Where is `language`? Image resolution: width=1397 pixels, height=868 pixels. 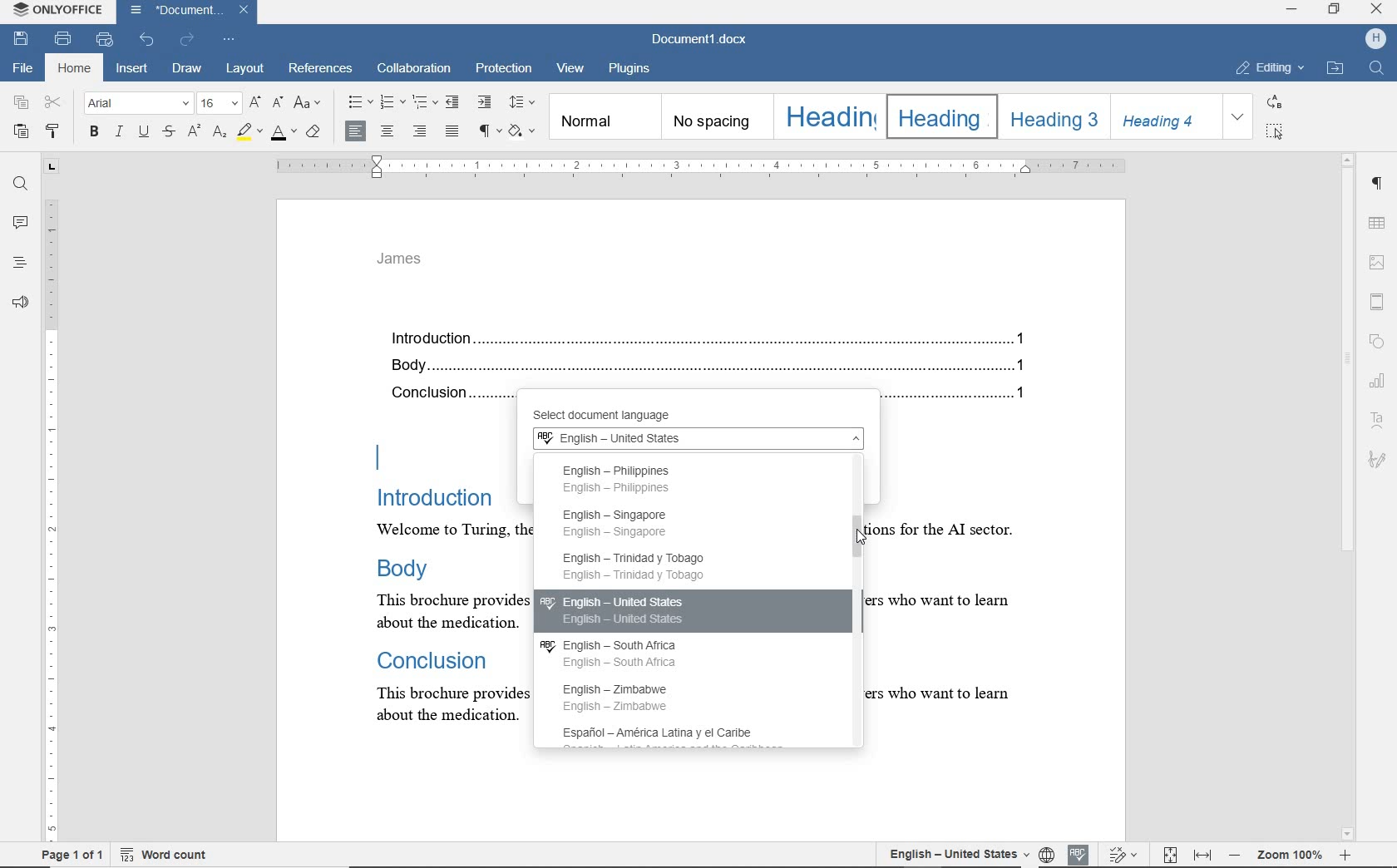 language is located at coordinates (1046, 854).